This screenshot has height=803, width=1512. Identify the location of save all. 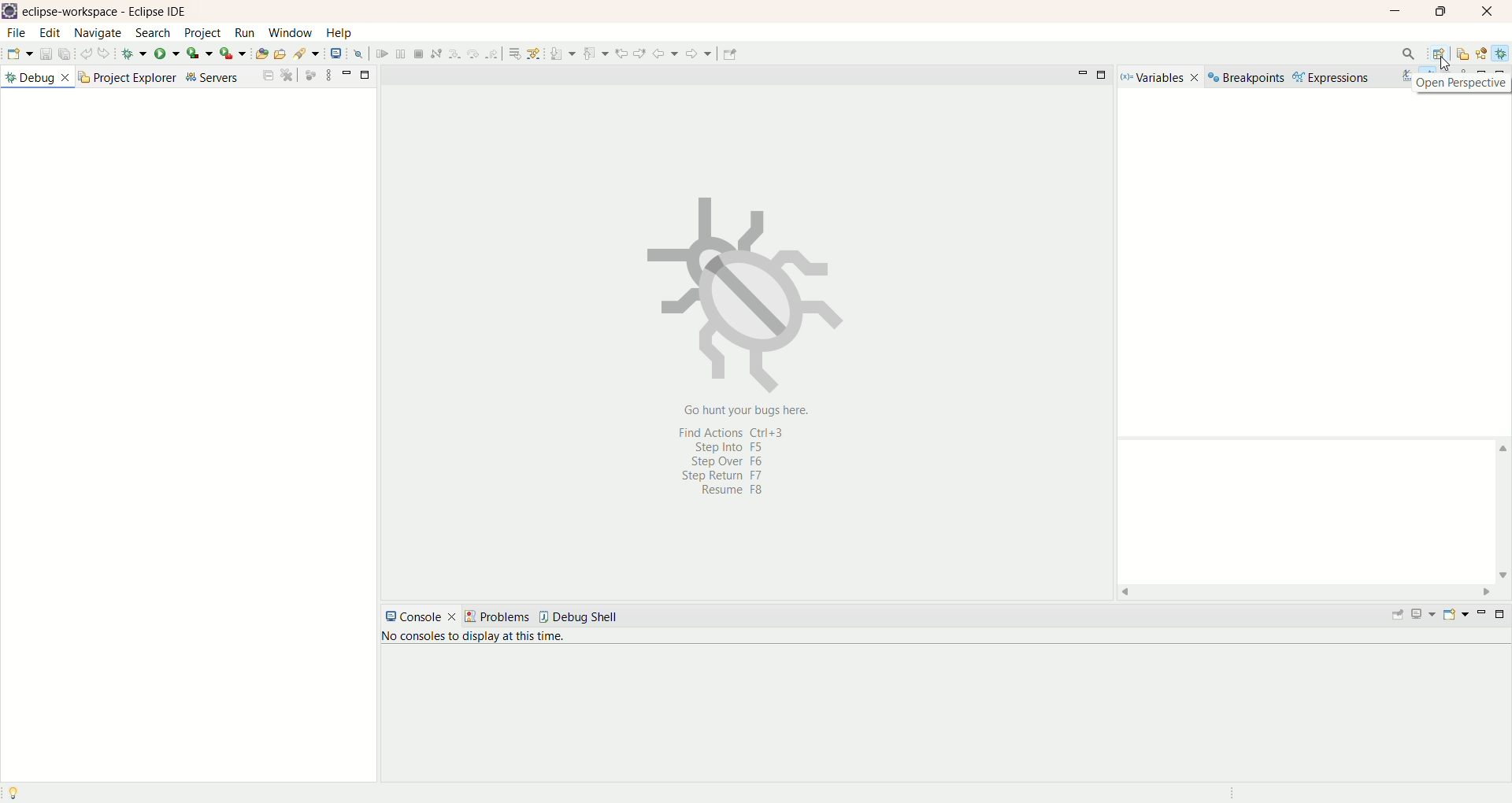
(65, 54).